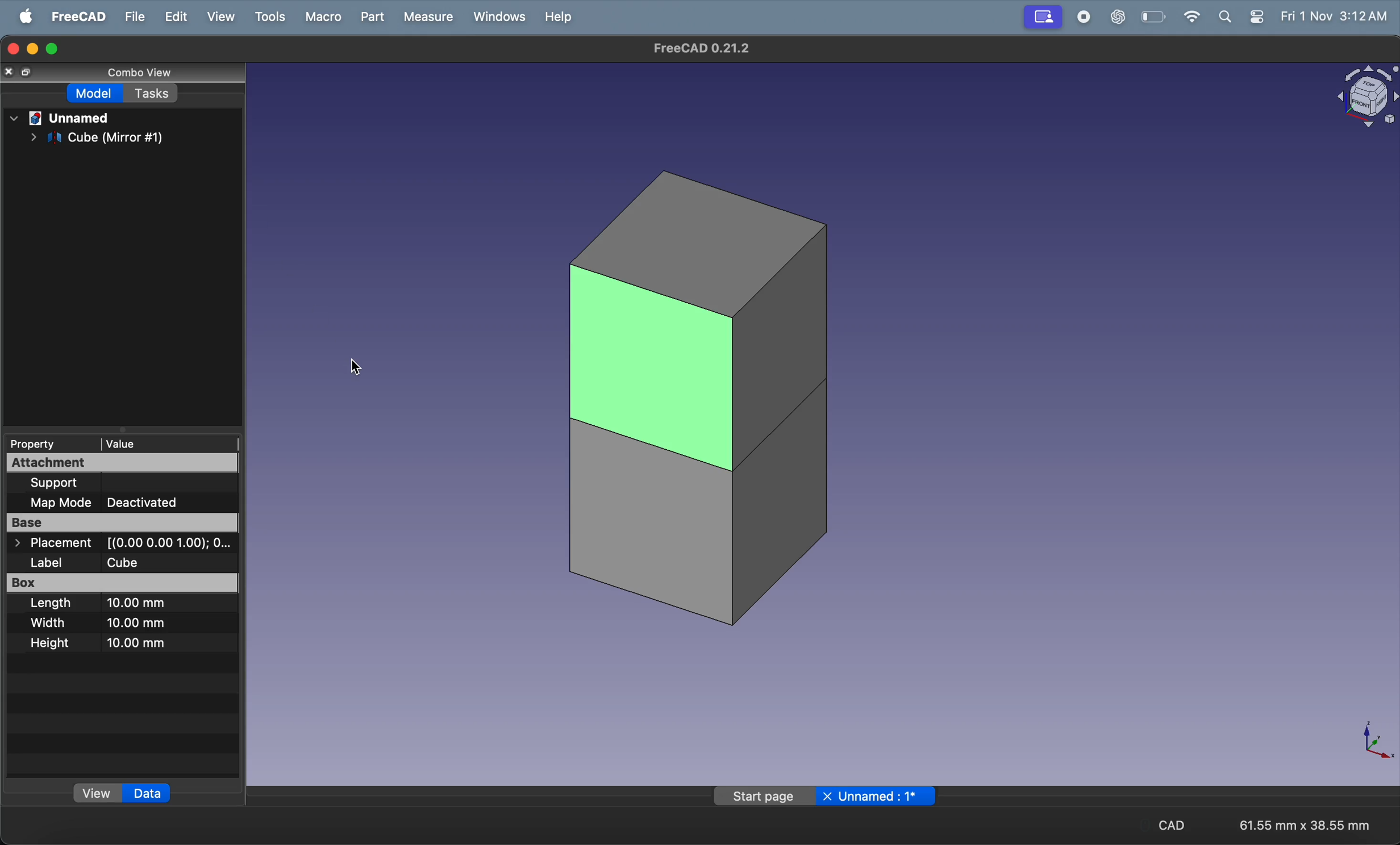  What do you see at coordinates (1155, 17) in the screenshot?
I see `battery` at bounding box center [1155, 17].